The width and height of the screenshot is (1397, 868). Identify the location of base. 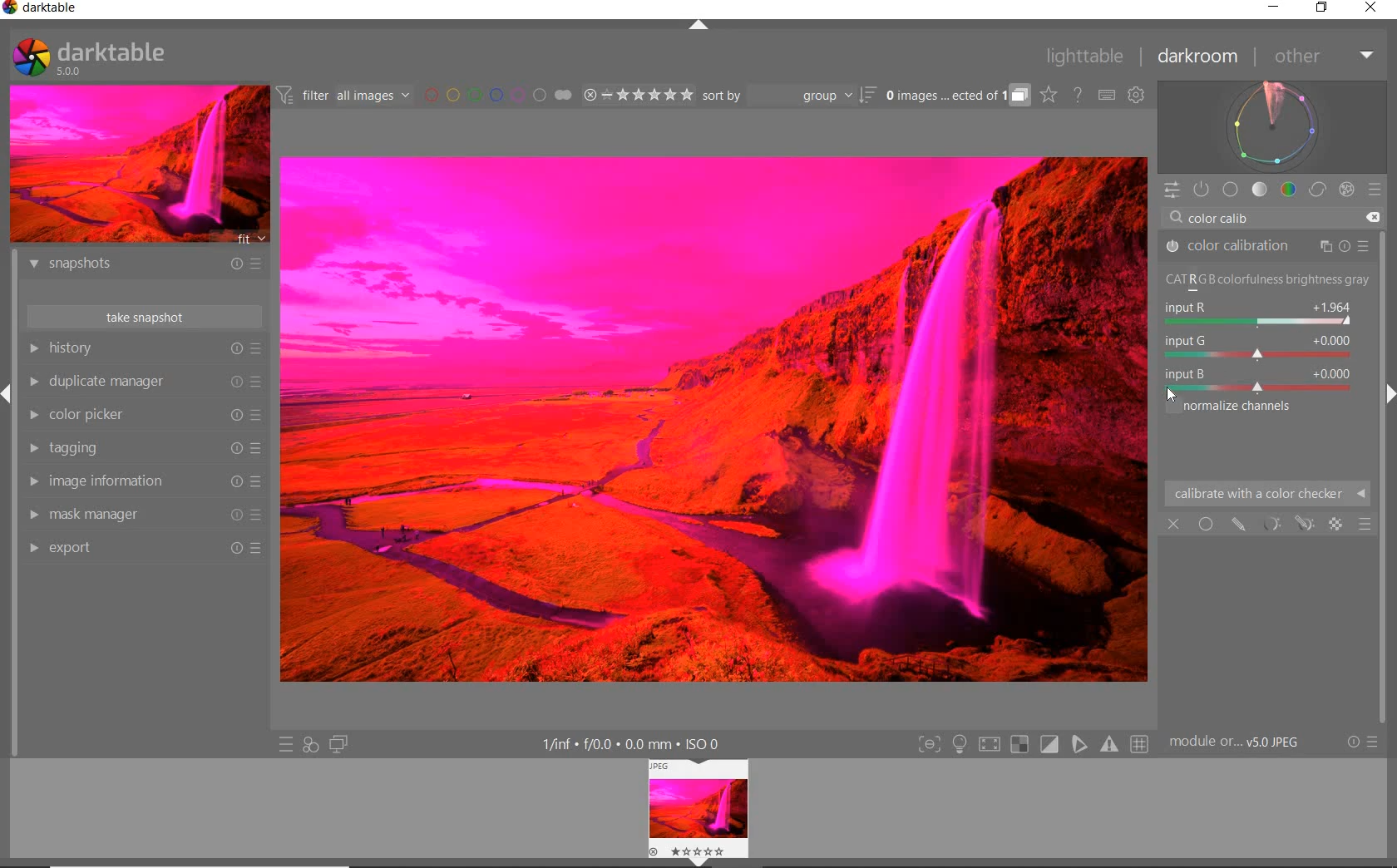
(1232, 189).